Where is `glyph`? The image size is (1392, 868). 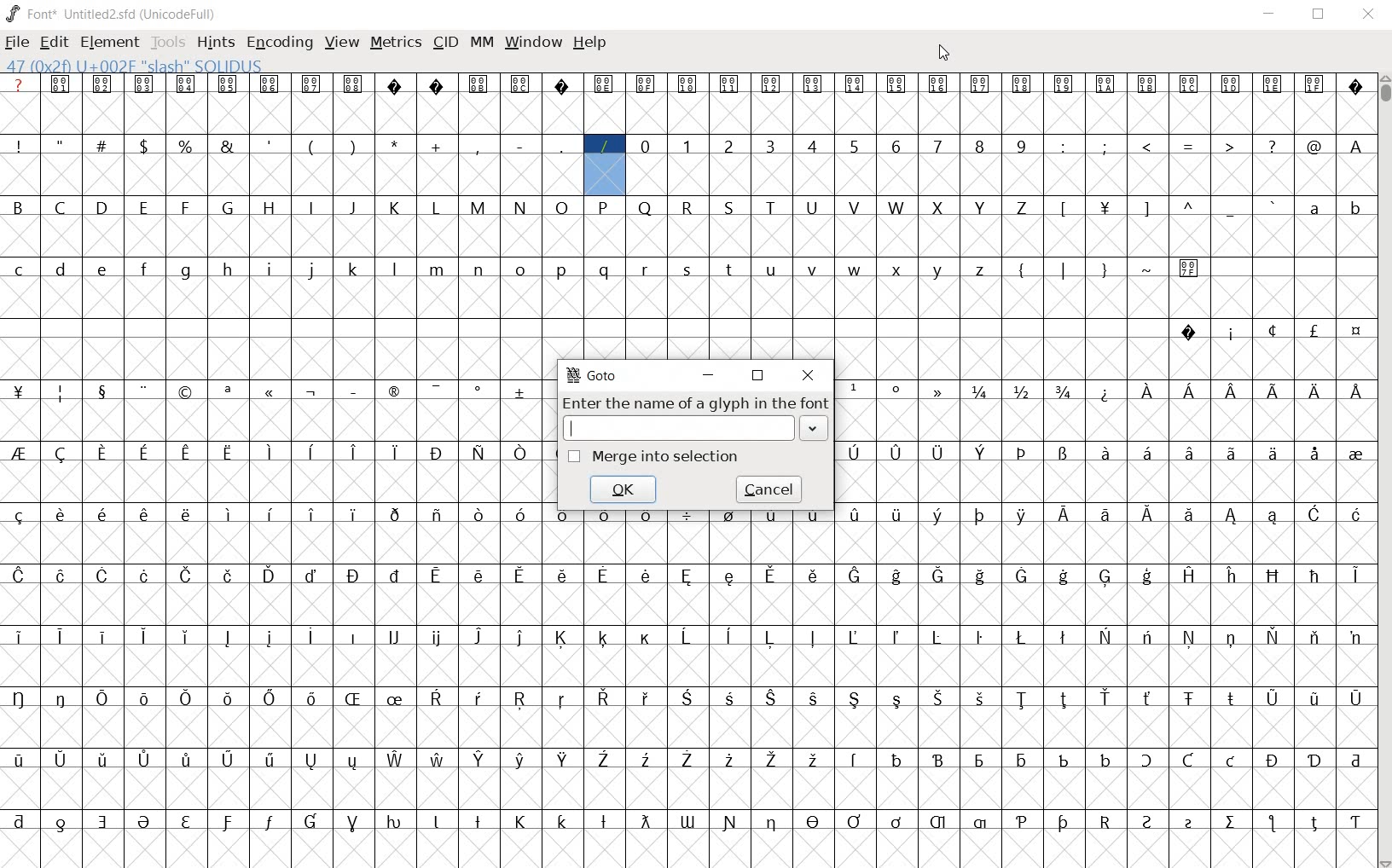
glyph is located at coordinates (1232, 576).